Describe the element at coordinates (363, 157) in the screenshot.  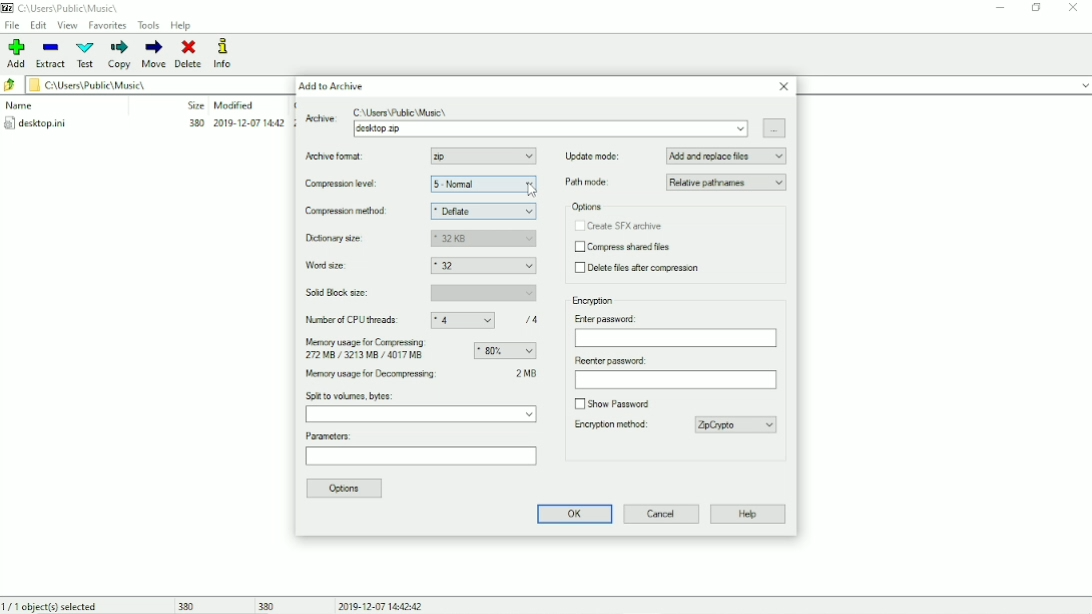
I see `Archive format` at that location.